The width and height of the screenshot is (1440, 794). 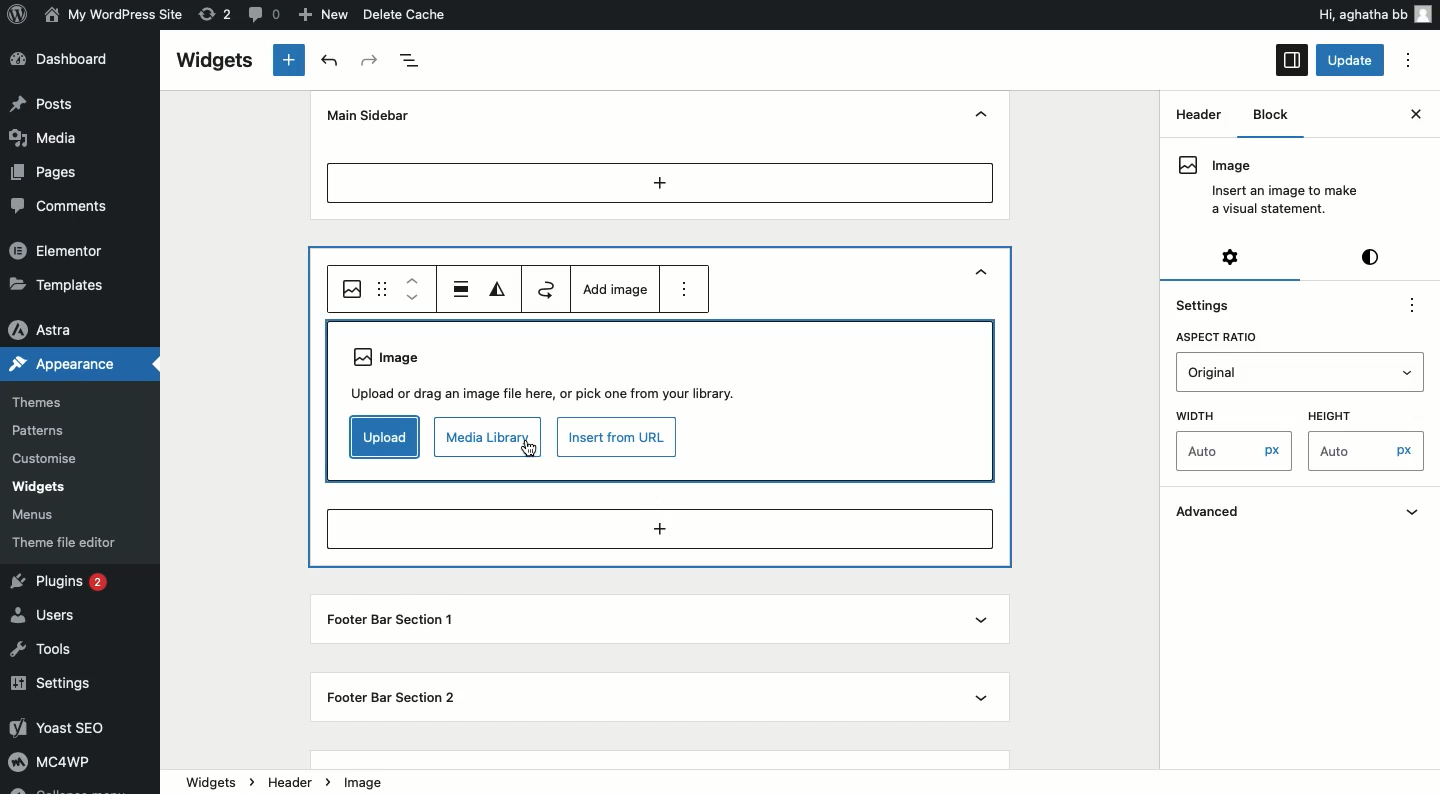 What do you see at coordinates (390, 622) in the screenshot?
I see `Footer Bar Section 1` at bounding box center [390, 622].